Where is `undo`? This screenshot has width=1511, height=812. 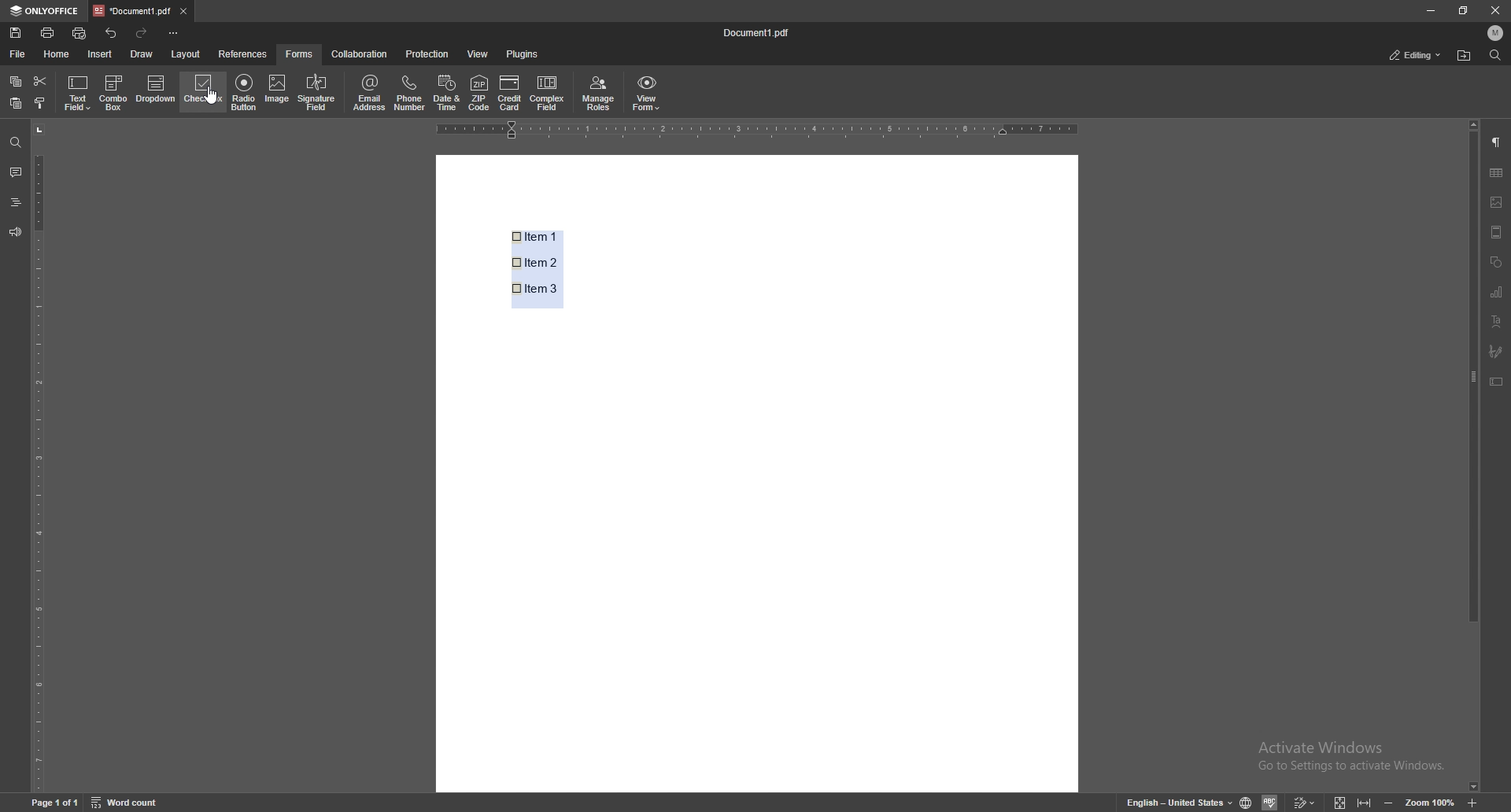 undo is located at coordinates (111, 32).